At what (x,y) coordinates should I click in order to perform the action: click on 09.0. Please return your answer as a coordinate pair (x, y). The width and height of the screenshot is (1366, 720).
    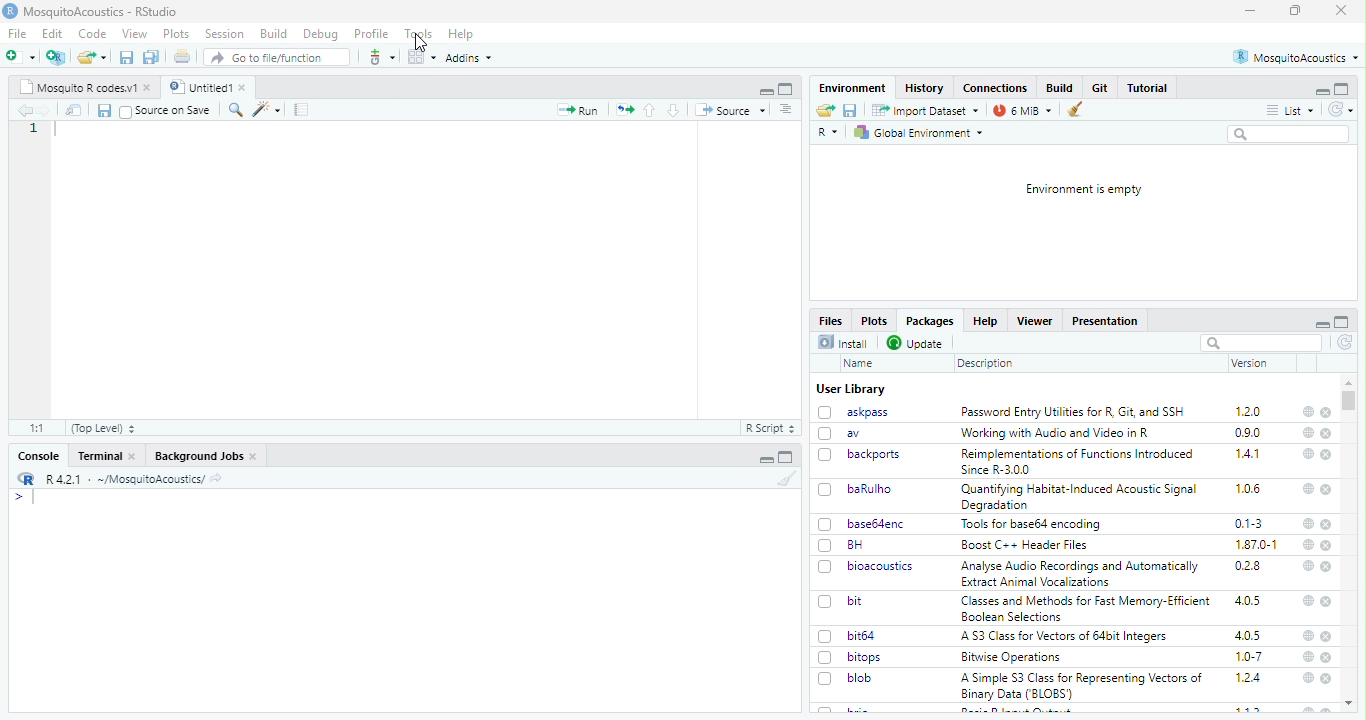
    Looking at the image, I should click on (1248, 433).